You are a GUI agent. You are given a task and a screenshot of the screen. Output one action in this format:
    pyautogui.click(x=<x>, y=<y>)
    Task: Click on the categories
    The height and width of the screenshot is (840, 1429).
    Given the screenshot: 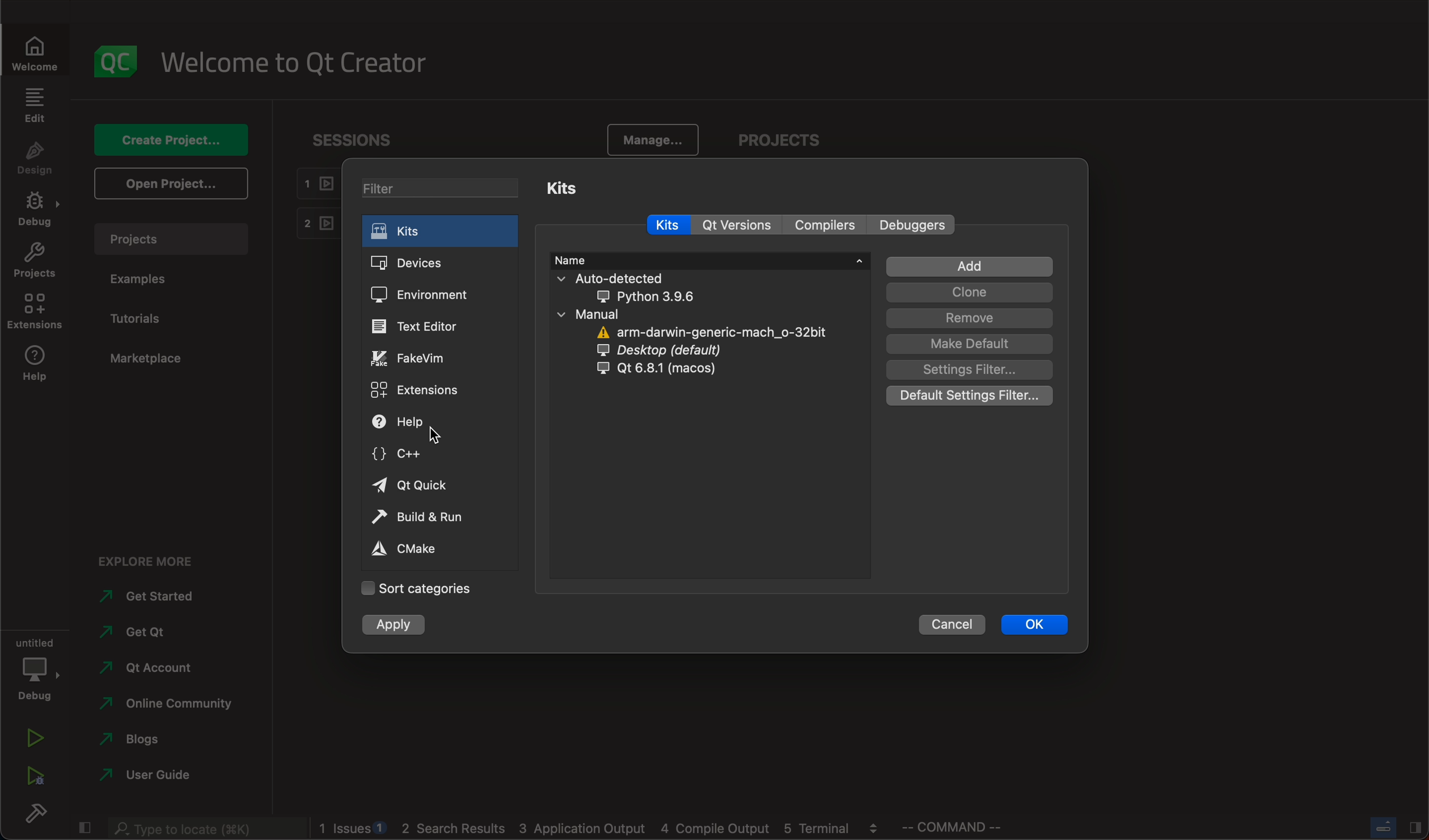 What is the action you would take?
    pyautogui.click(x=420, y=590)
    